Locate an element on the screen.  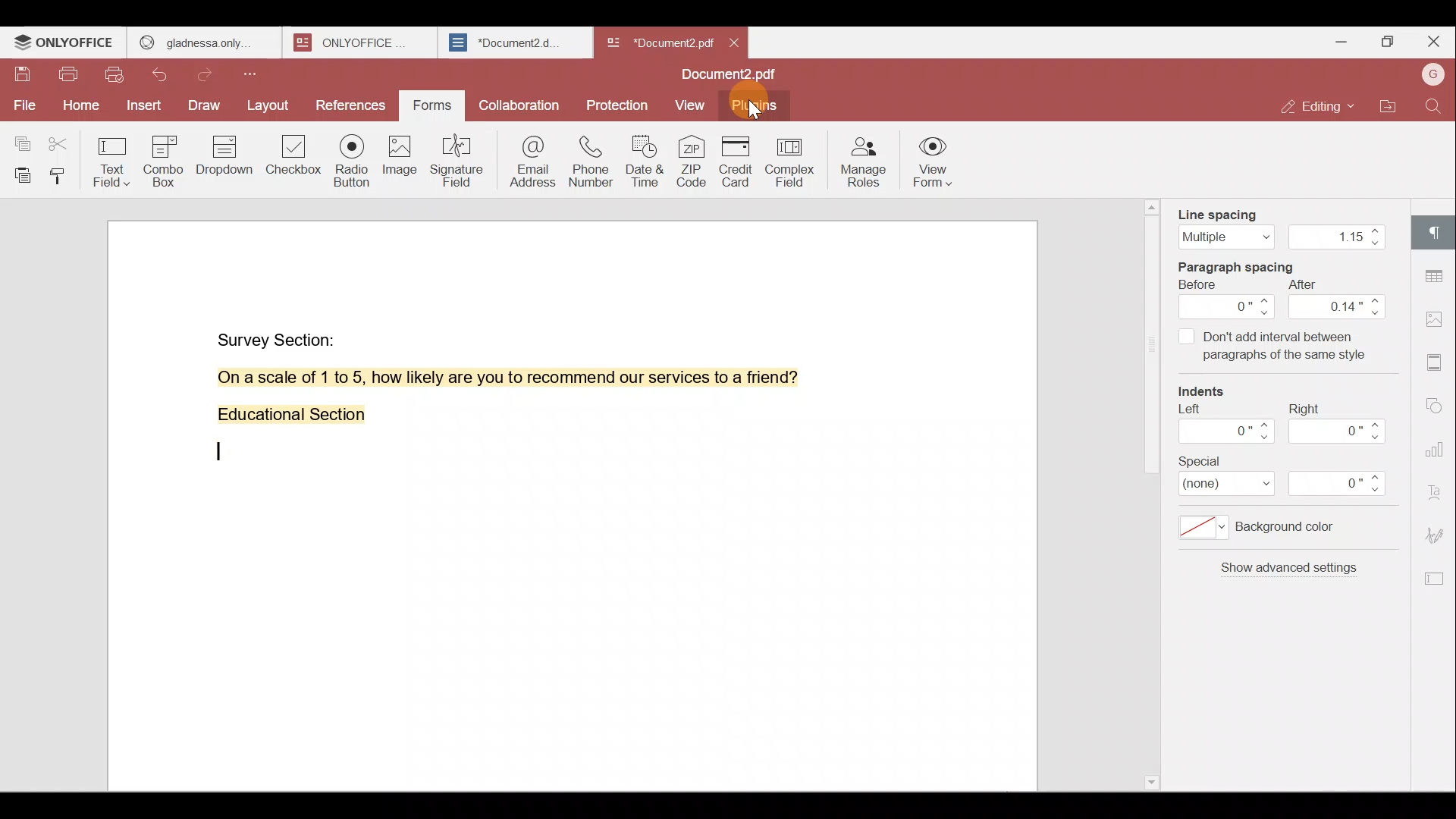
Draw is located at coordinates (206, 107).